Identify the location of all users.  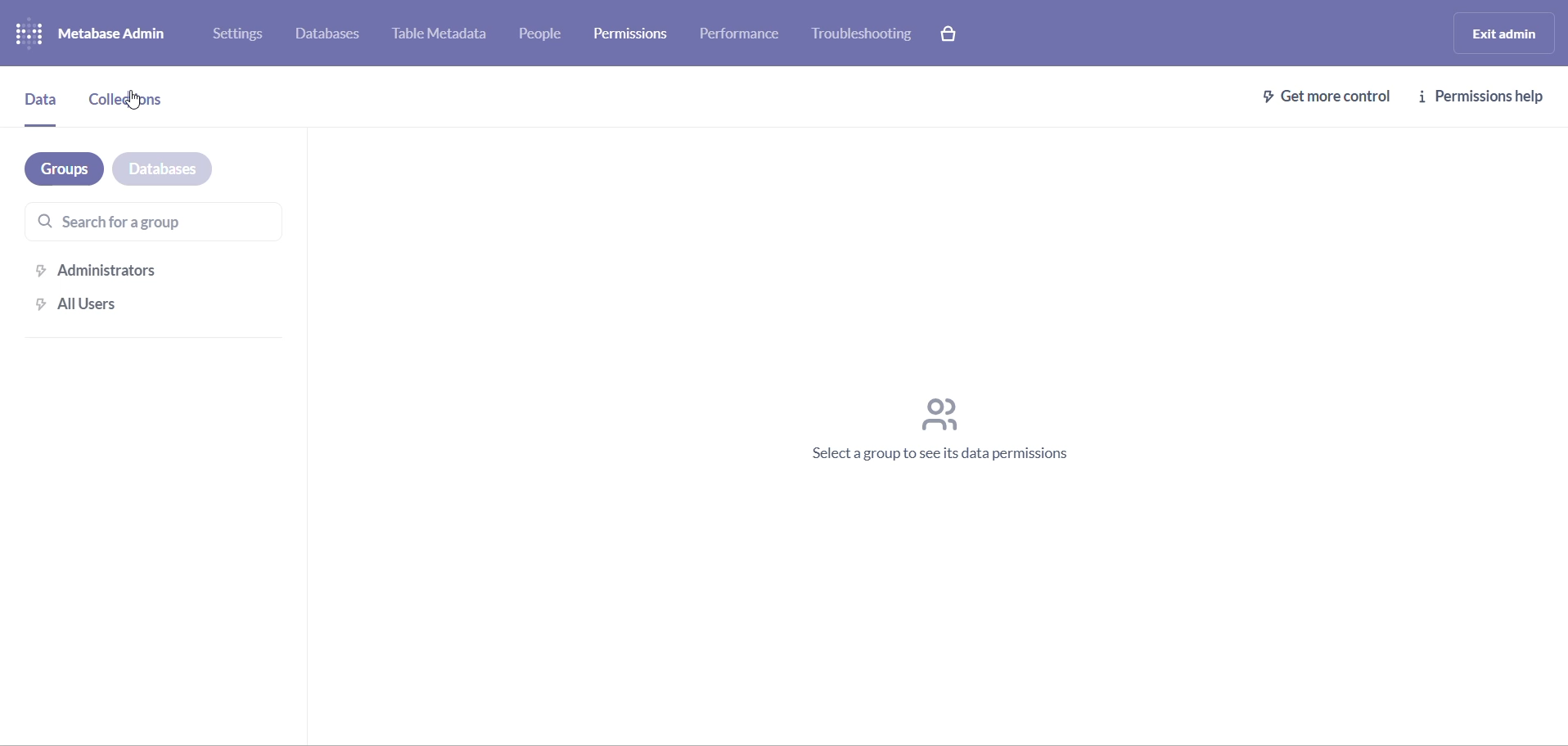
(128, 306).